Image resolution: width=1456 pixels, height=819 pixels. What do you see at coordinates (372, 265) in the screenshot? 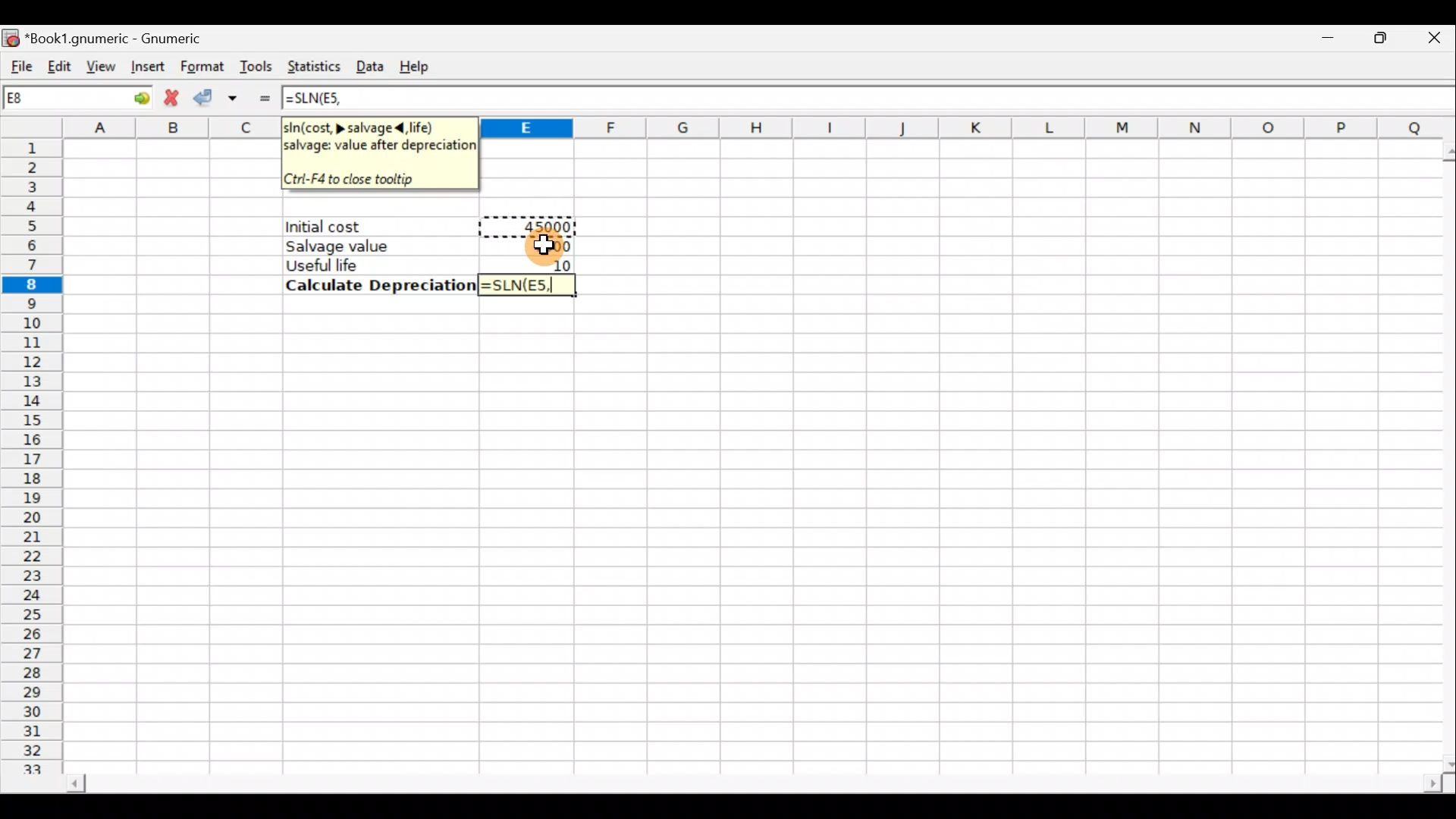
I see `Useful life` at bounding box center [372, 265].